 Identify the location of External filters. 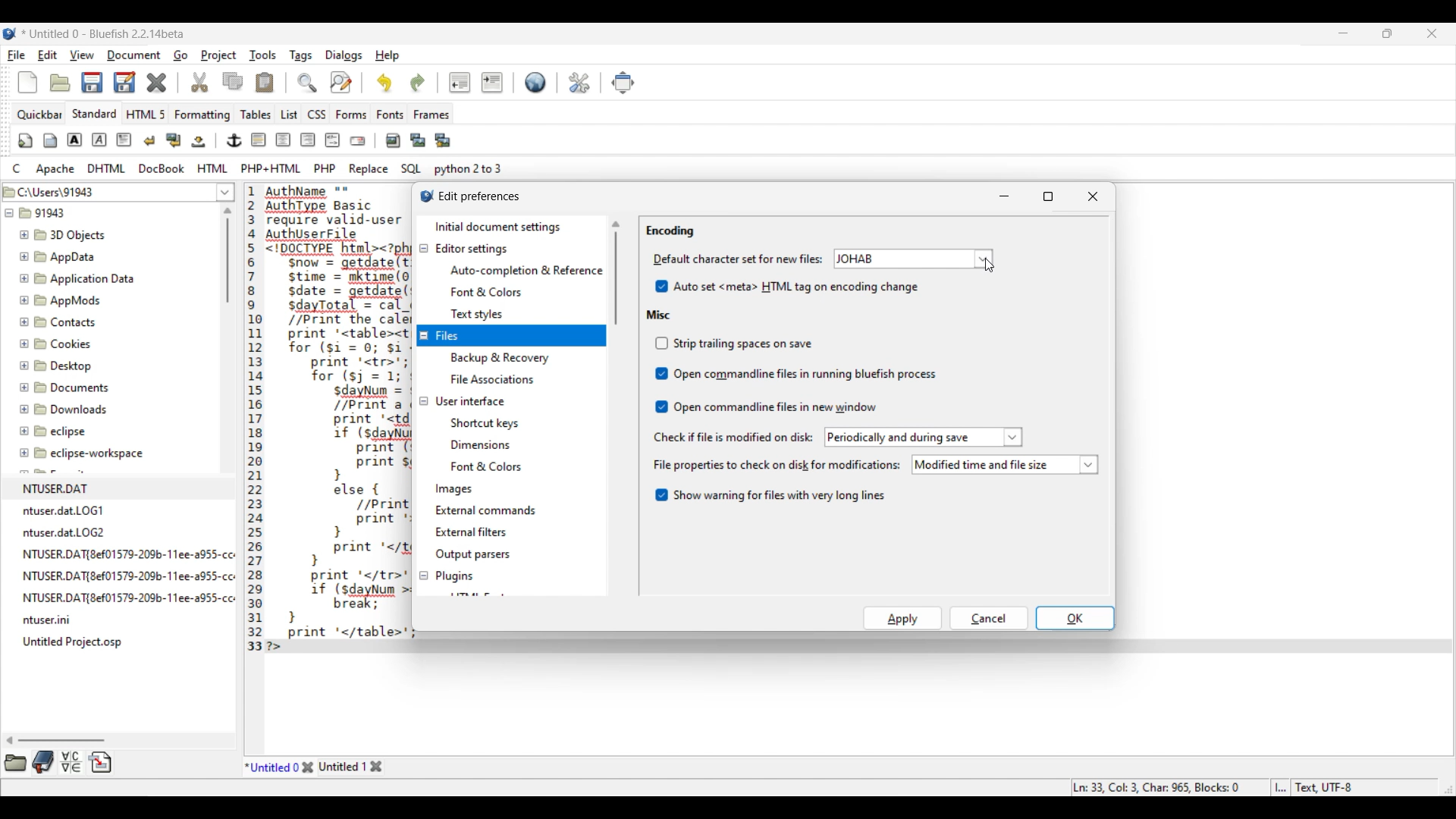
(474, 532).